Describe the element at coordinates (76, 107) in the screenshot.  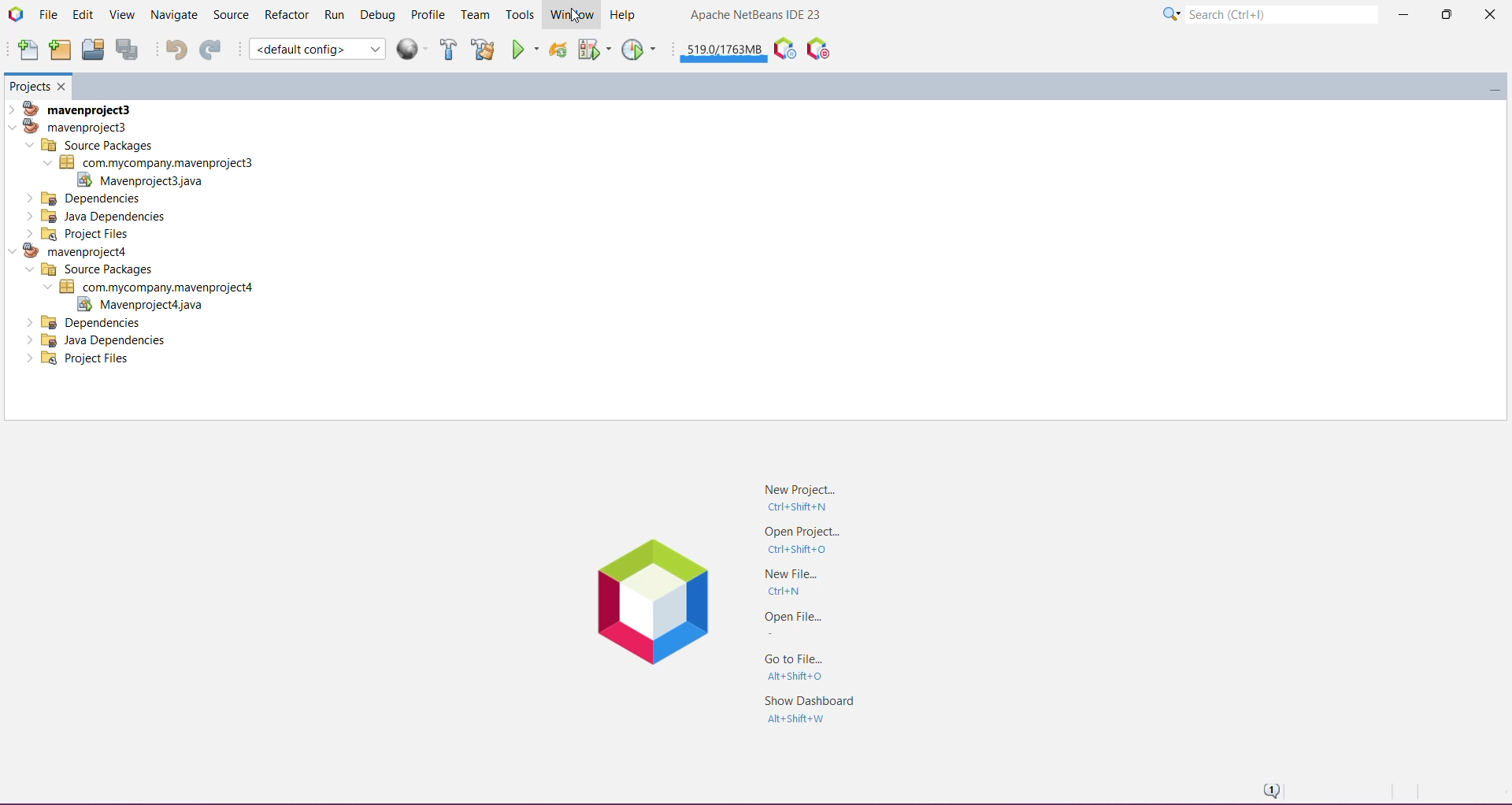
I see `mavenproject3` at that location.